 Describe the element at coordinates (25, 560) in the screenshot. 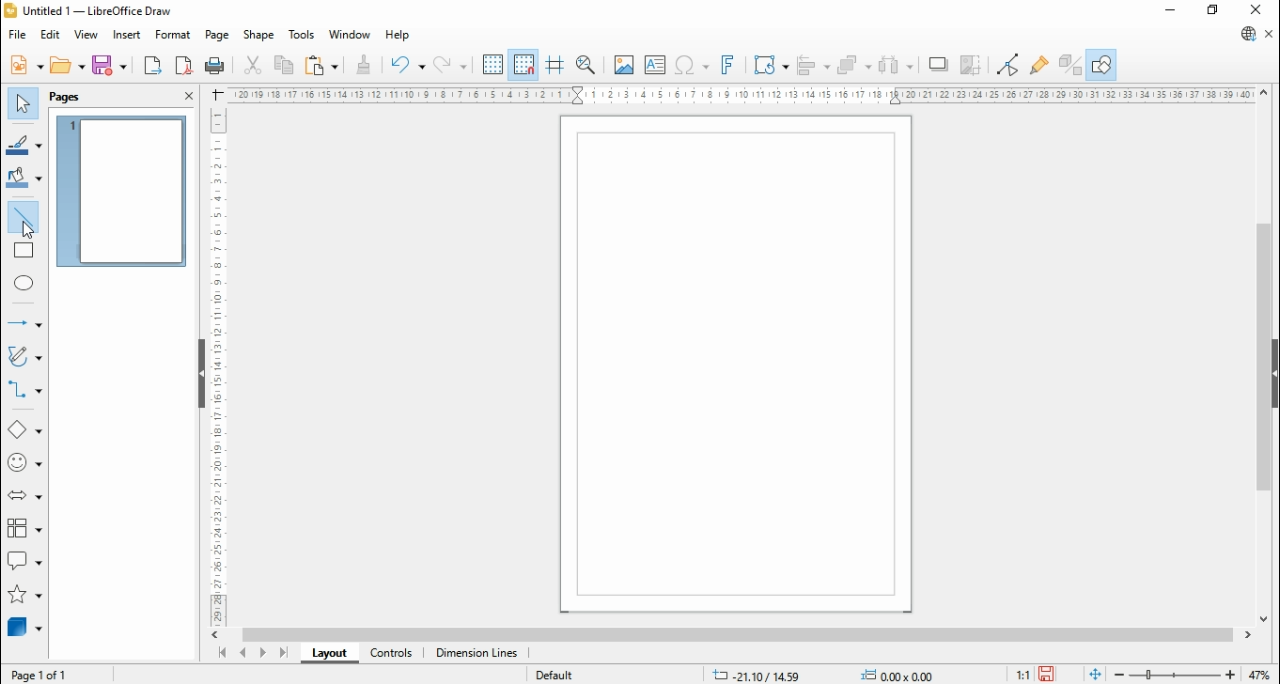

I see `callout shapes` at that location.